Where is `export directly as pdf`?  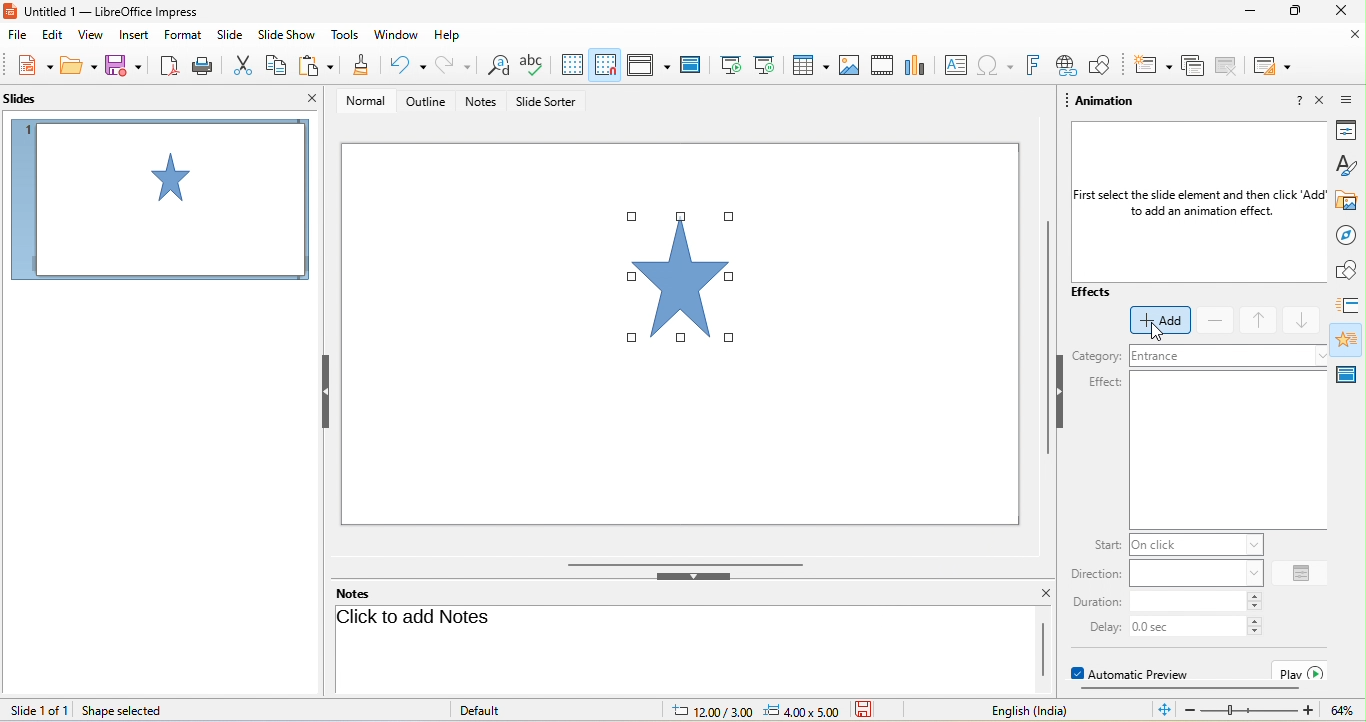
export directly as pdf is located at coordinates (166, 67).